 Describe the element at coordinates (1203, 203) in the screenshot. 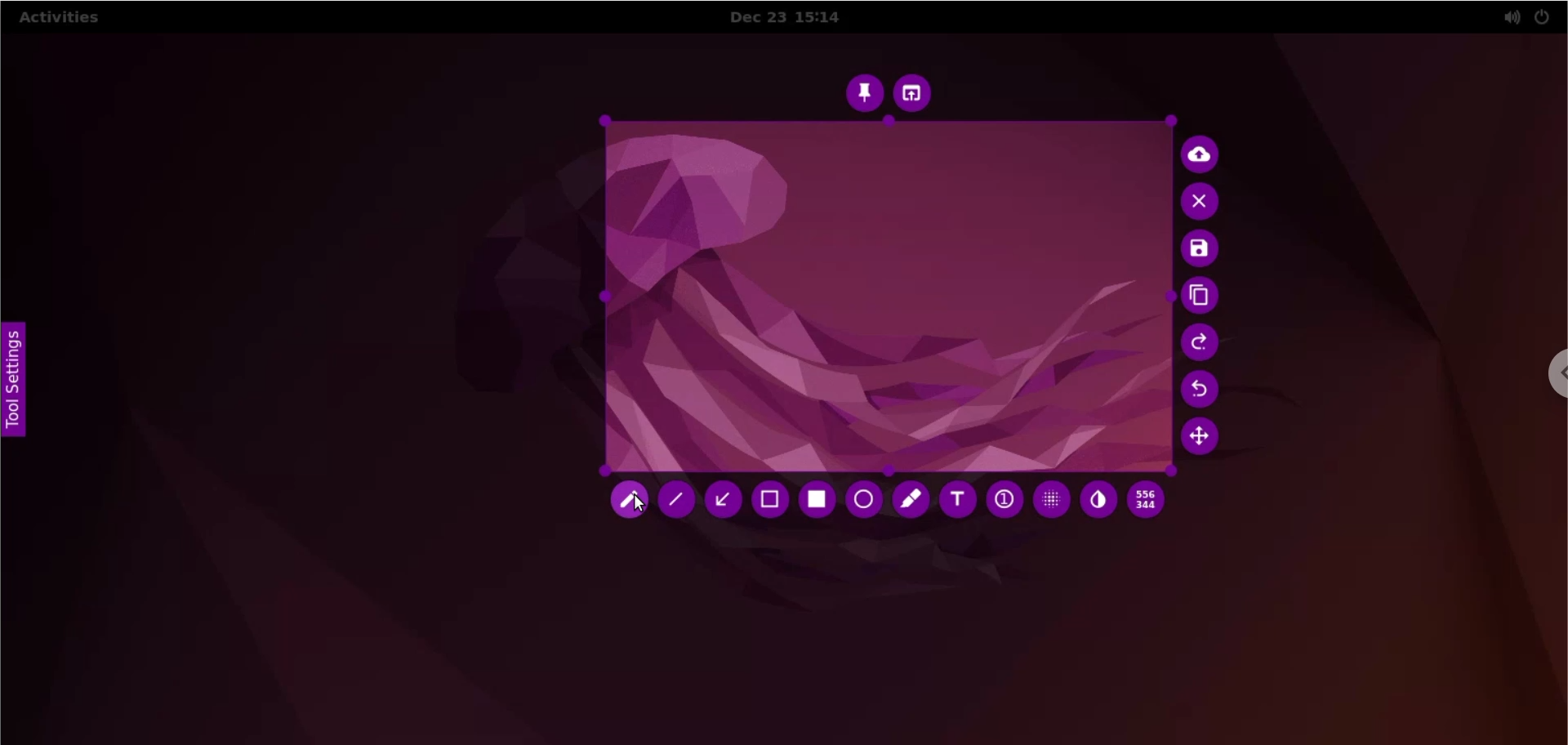

I see `cancel culture` at that location.